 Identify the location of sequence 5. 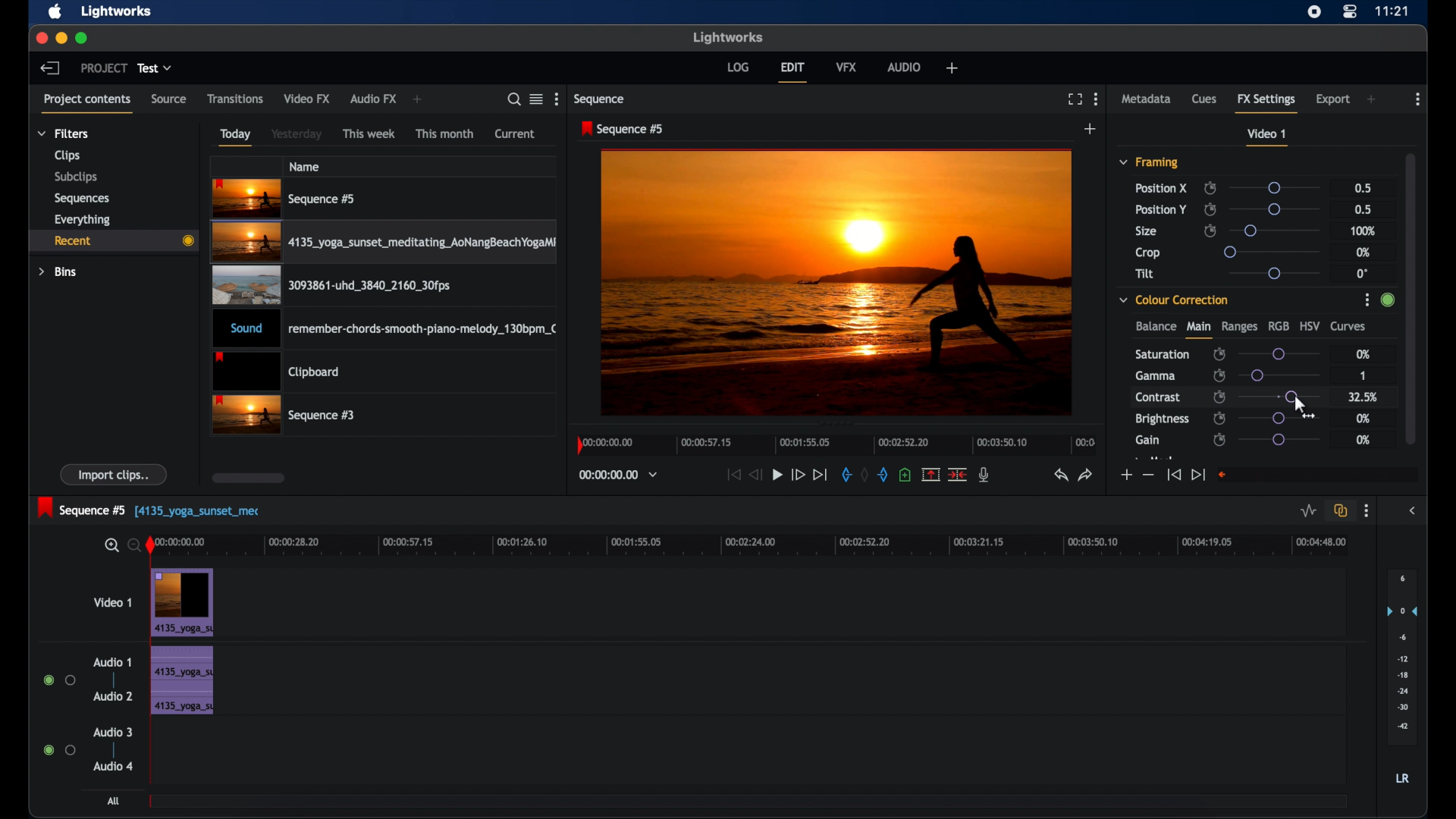
(149, 509).